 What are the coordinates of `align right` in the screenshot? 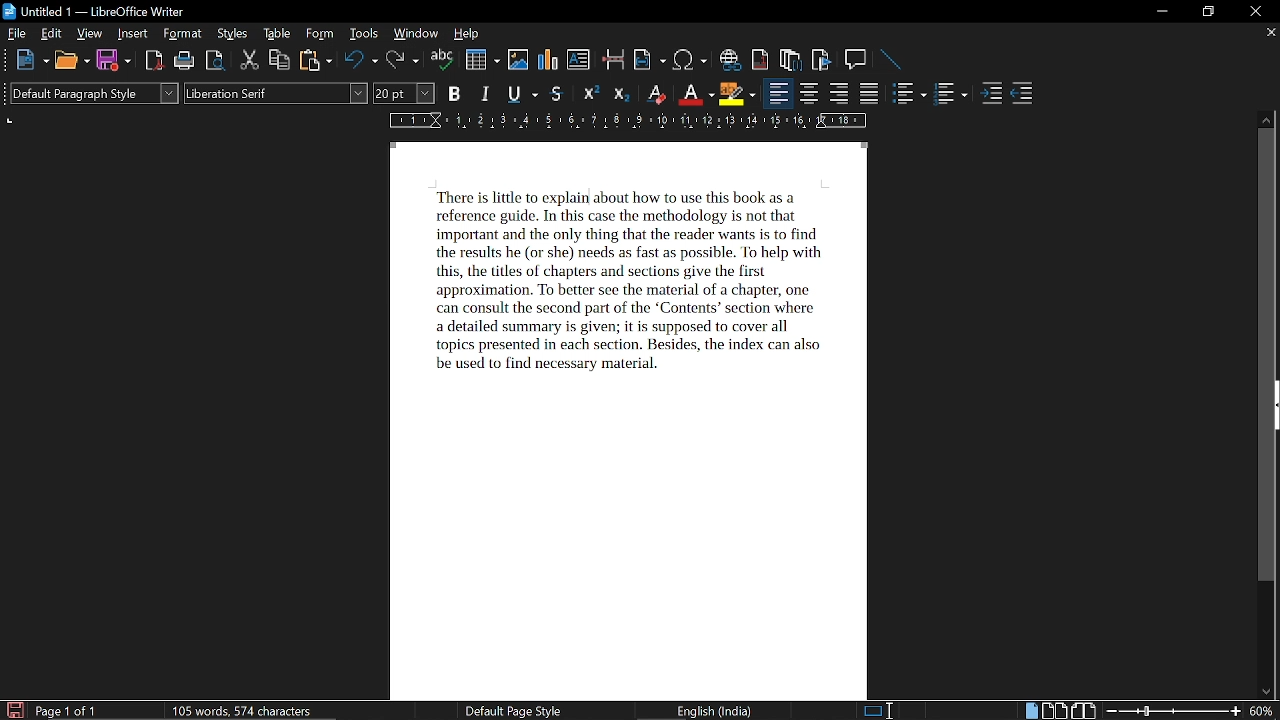 It's located at (841, 94).